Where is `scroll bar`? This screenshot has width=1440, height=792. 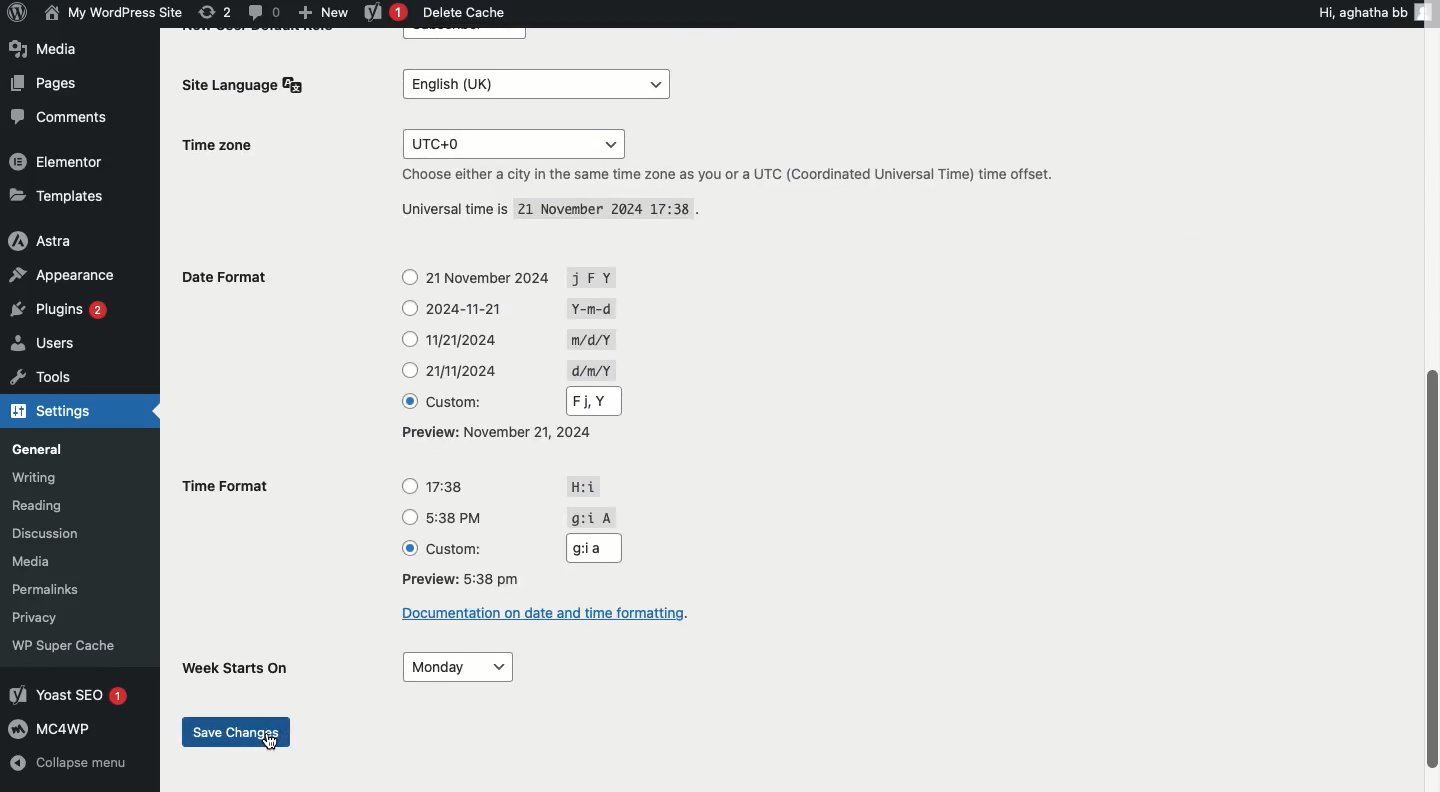
scroll bar is located at coordinates (1428, 567).